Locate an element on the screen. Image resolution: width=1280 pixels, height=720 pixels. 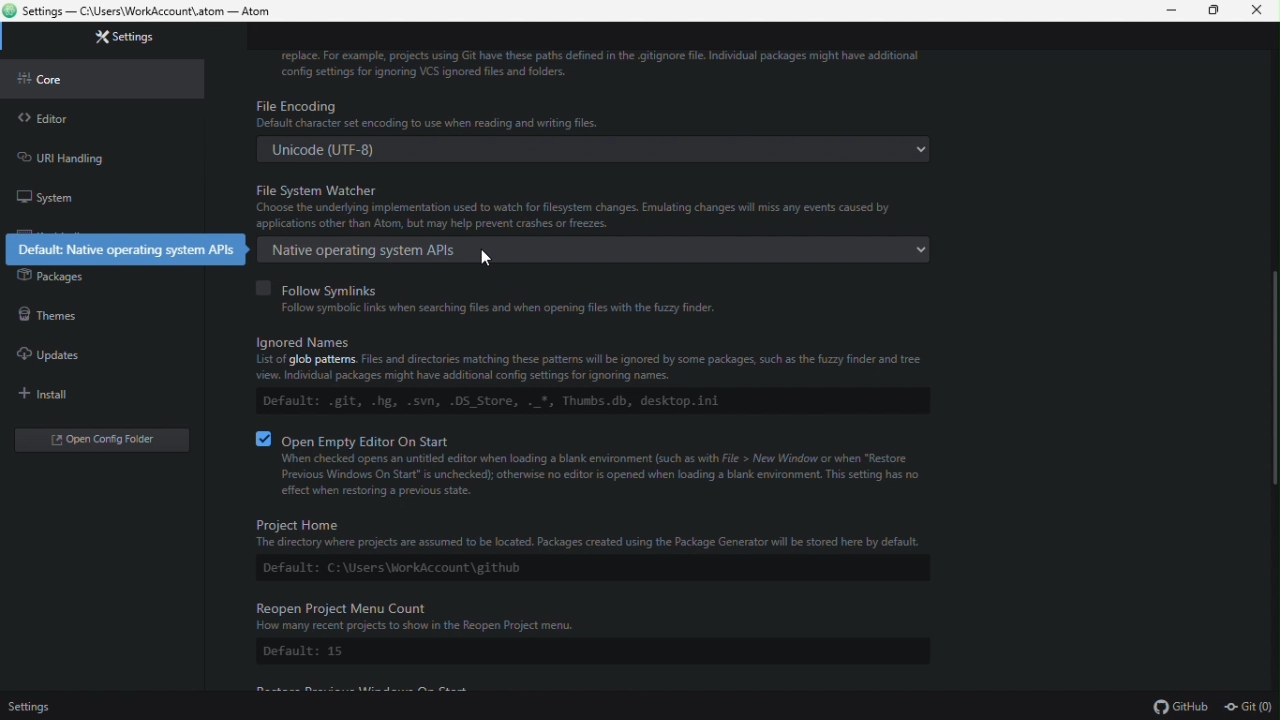
URL handling is located at coordinates (91, 155).